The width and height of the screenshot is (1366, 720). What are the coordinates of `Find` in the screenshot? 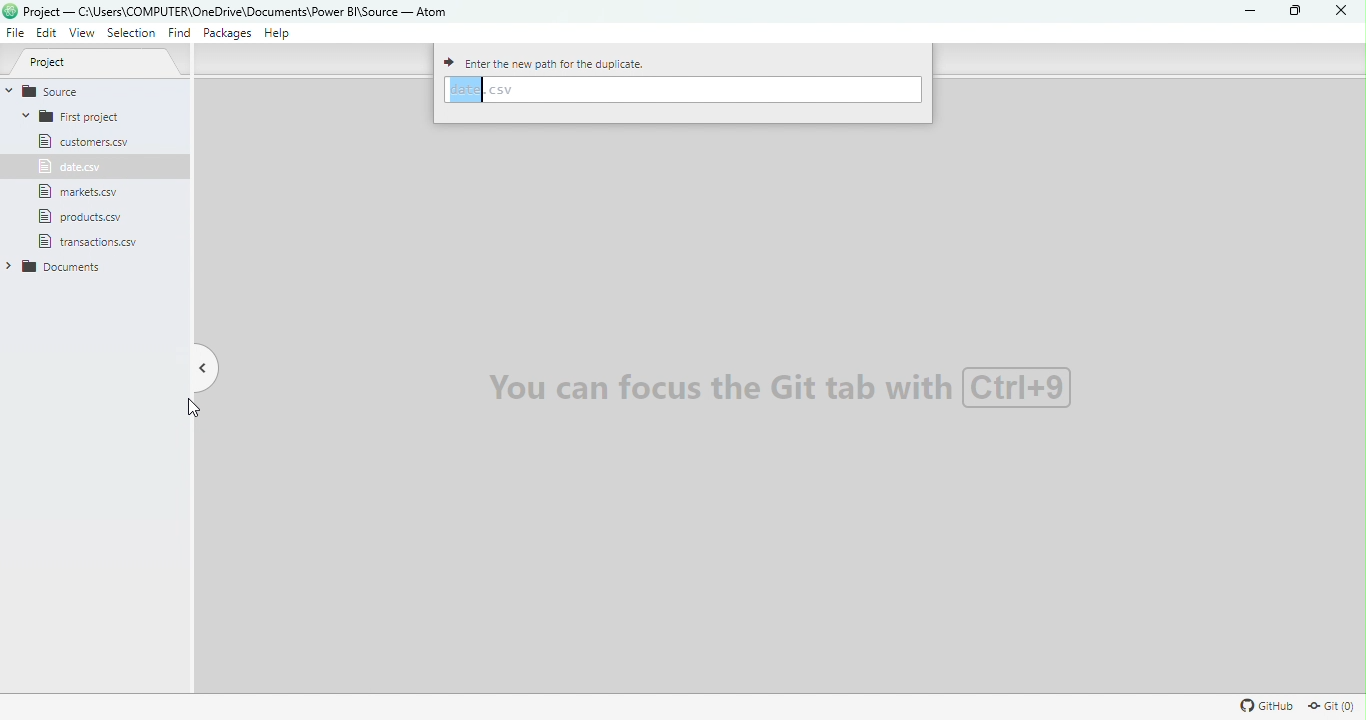 It's located at (178, 34).